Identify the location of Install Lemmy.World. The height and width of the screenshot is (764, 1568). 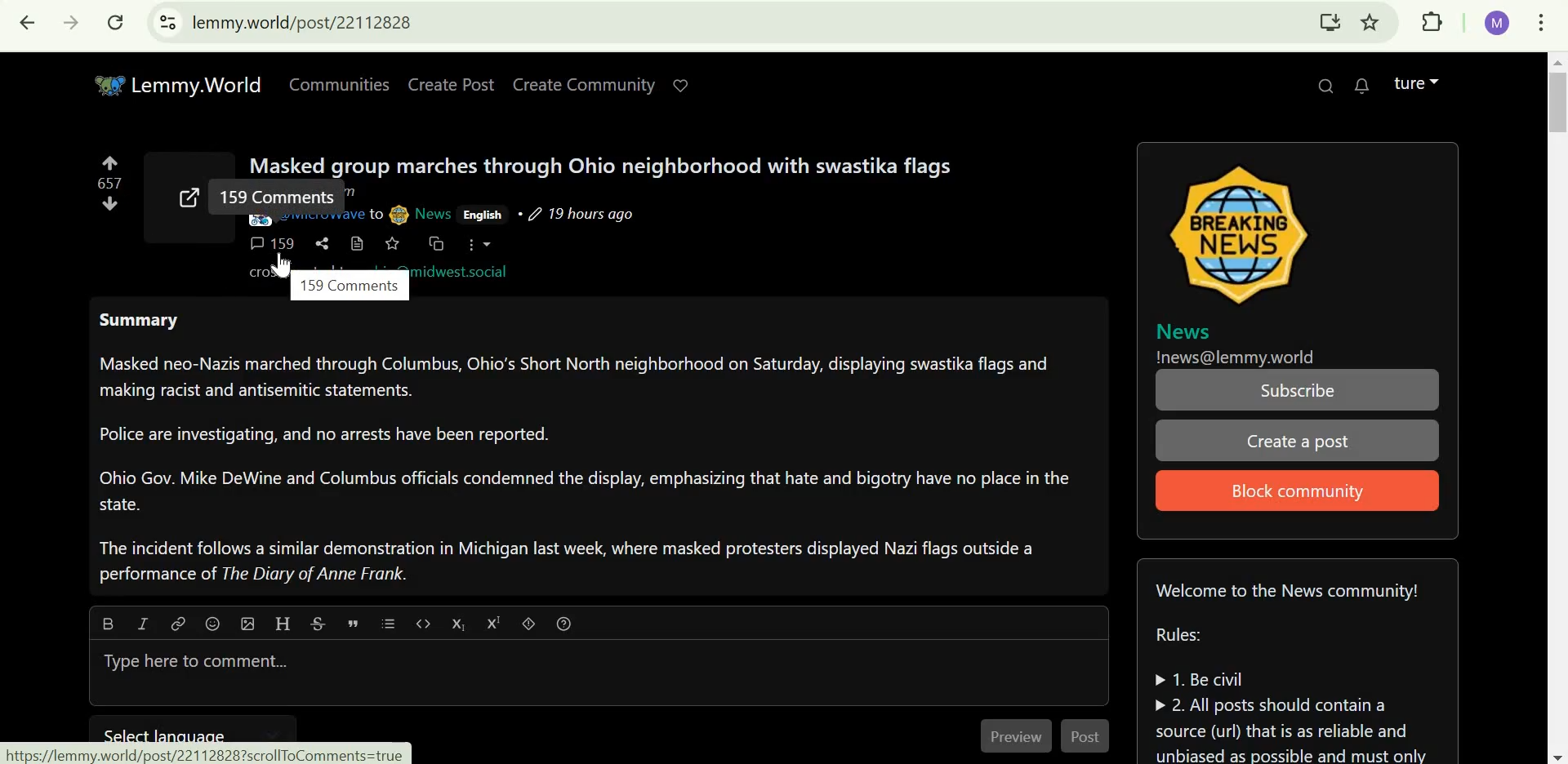
(1330, 19).